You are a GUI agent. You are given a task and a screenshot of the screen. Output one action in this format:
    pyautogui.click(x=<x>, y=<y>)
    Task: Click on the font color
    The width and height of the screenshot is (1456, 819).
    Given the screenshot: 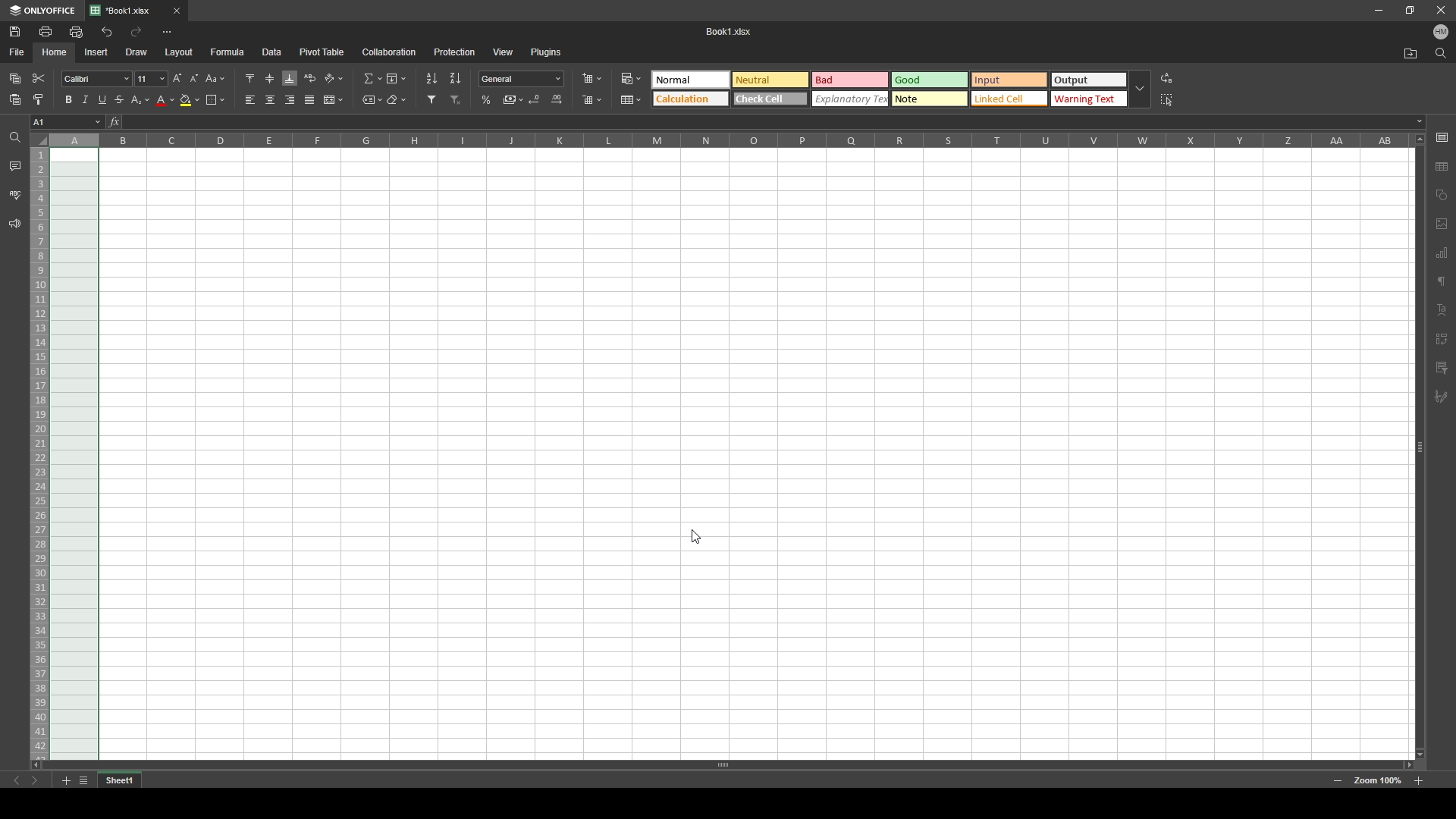 What is the action you would take?
    pyautogui.click(x=166, y=101)
    